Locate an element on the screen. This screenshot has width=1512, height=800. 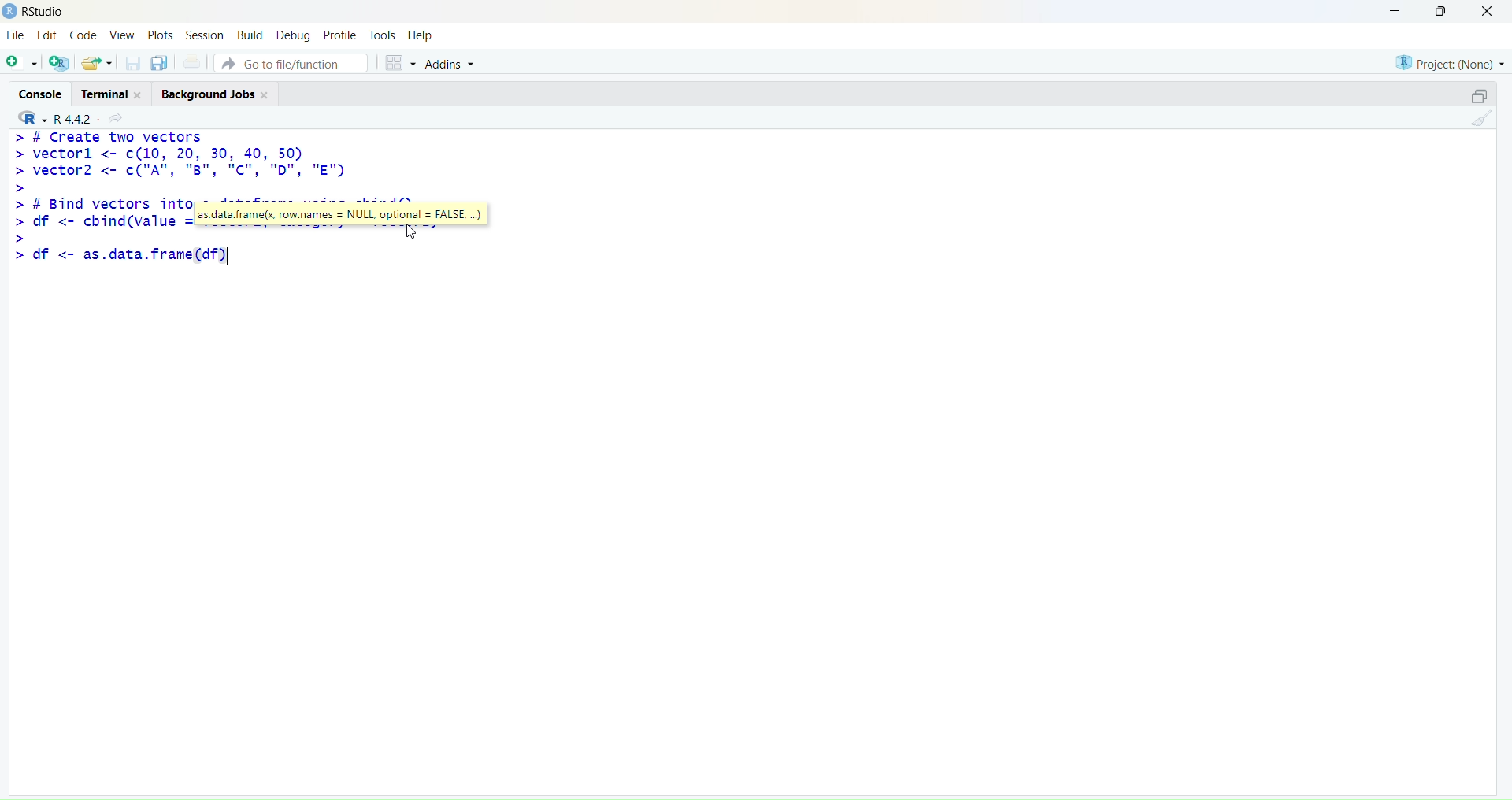
df <- as.data.frame(df) is located at coordinates (120, 255).